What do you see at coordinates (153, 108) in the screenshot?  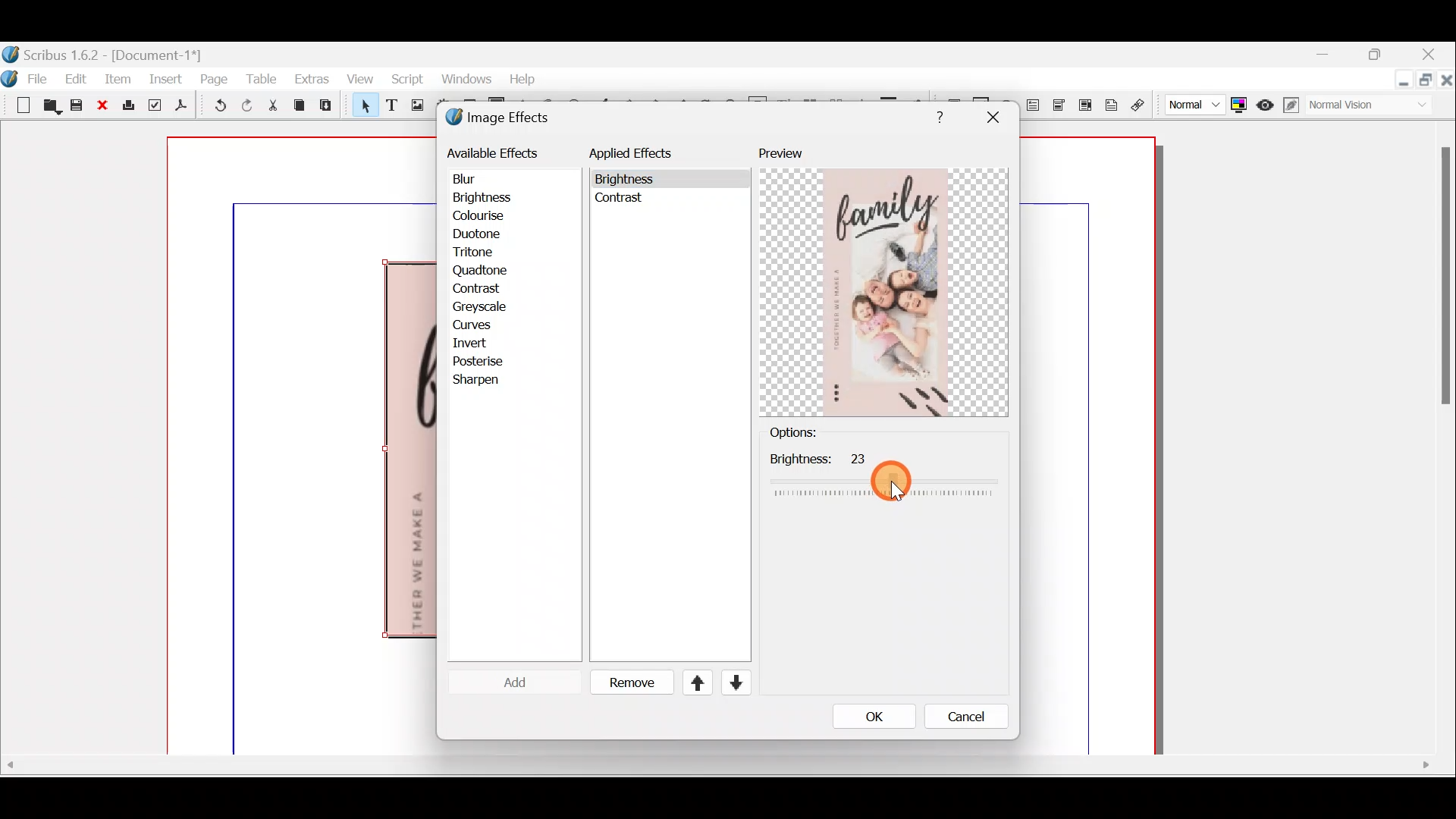 I see `Preflight verifier` at bounding box center [153, 108].